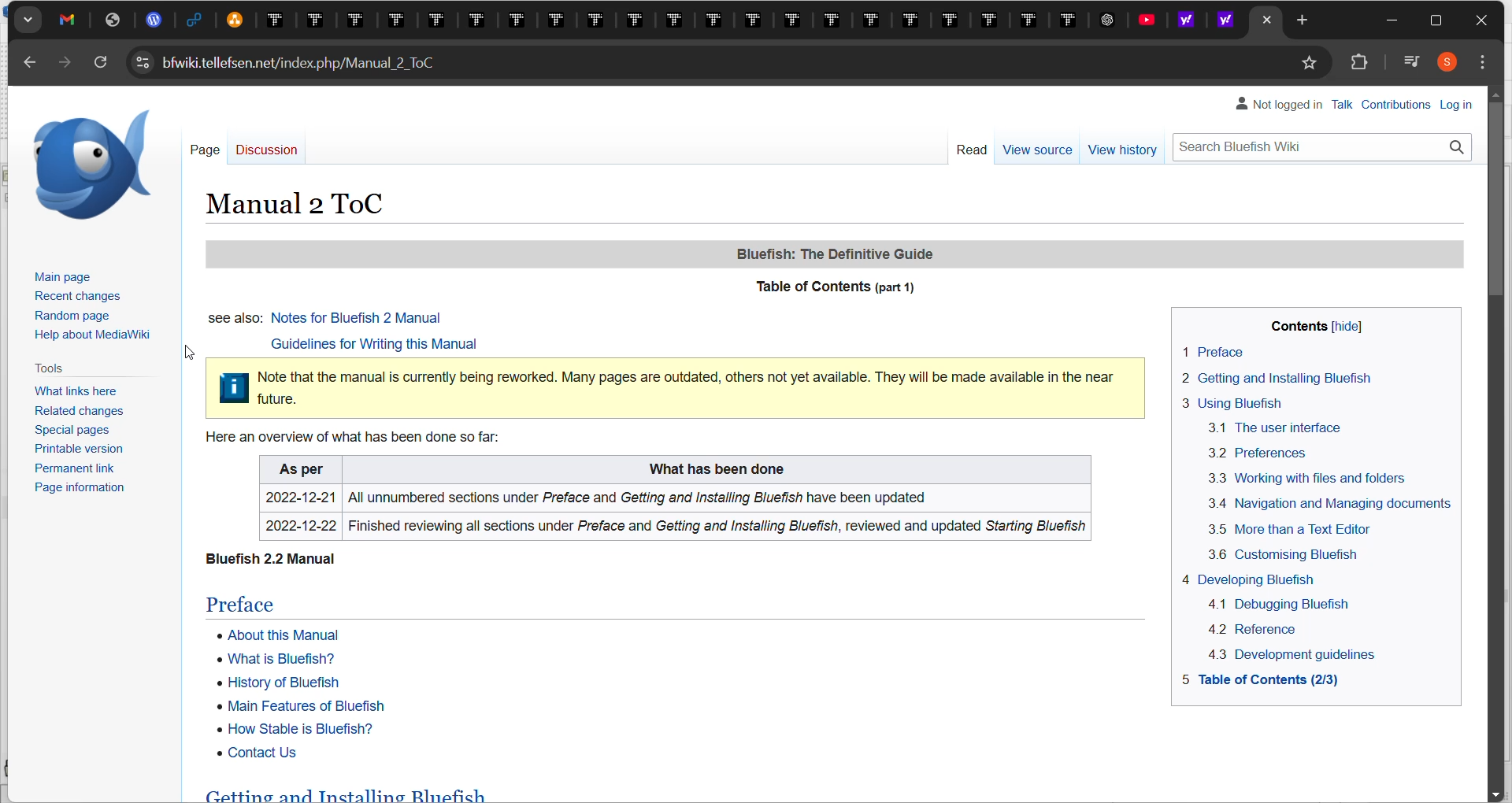 The width and height of the screenshot is (1512, 803). What do you see at coordinates (1124, 148) in the screenshot?
I see `view history` at bounding box center [1124, 148].